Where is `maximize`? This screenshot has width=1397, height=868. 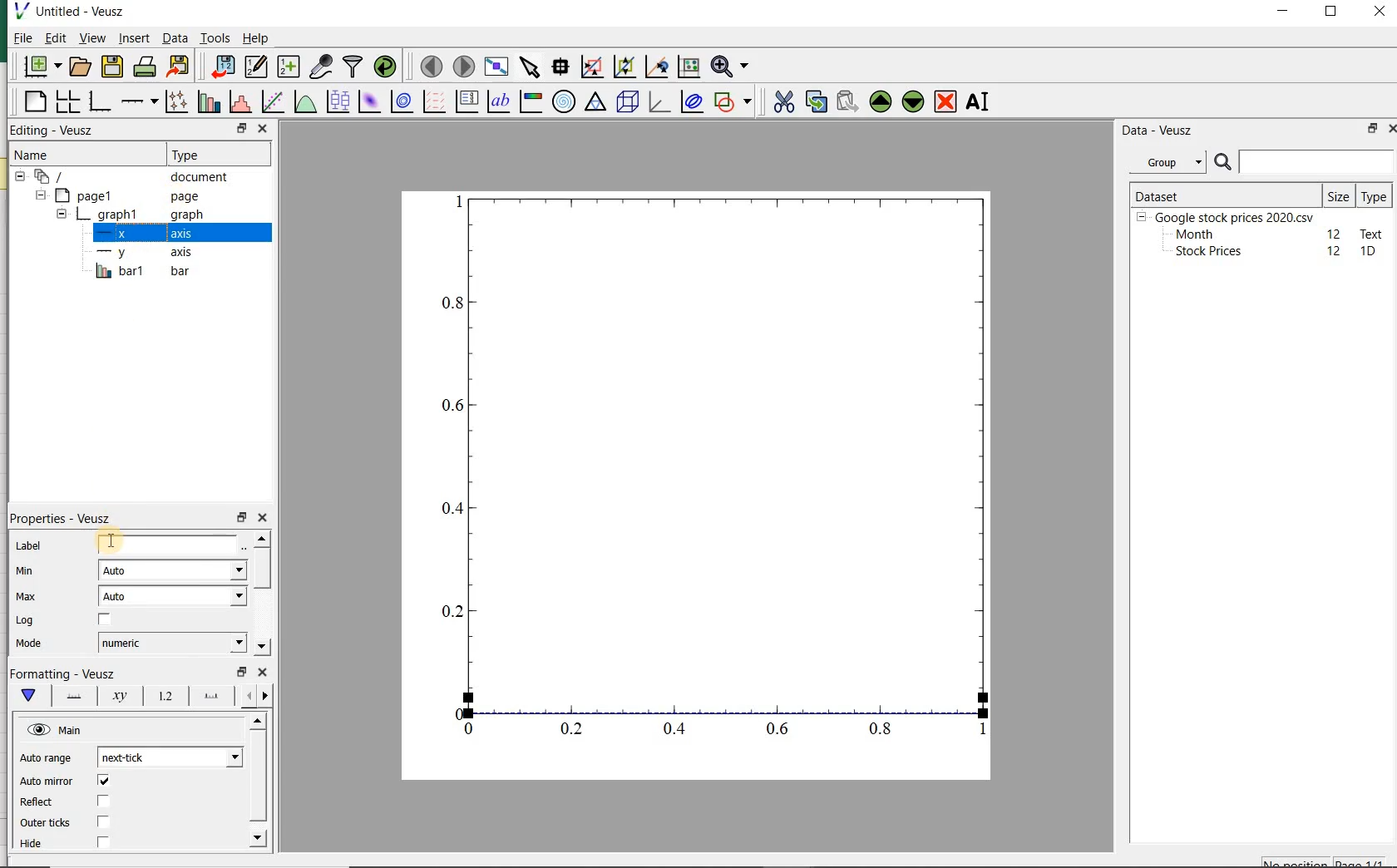
maximize is located at coordinates (1334, 13).